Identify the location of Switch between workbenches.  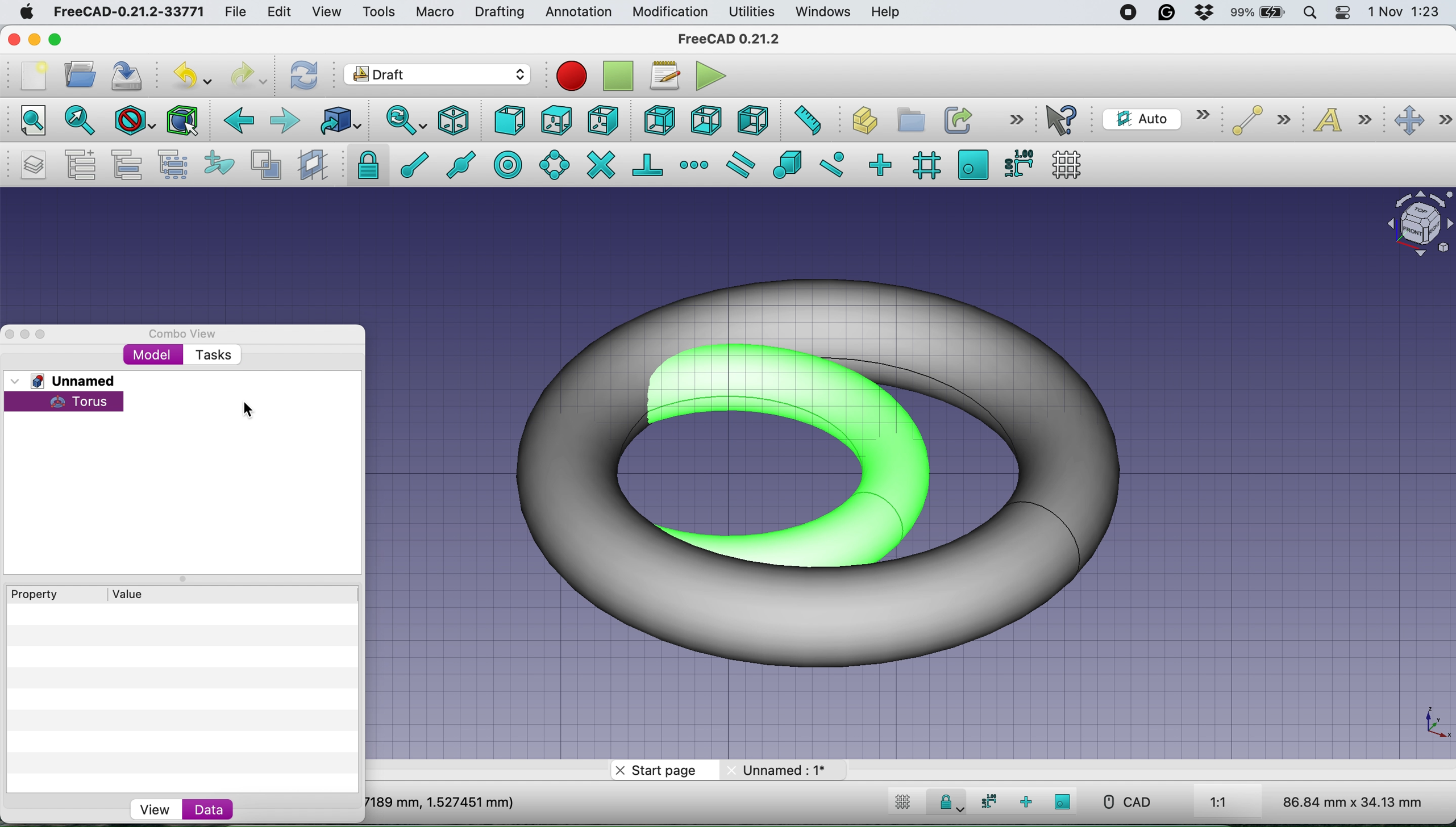
(437, 76).